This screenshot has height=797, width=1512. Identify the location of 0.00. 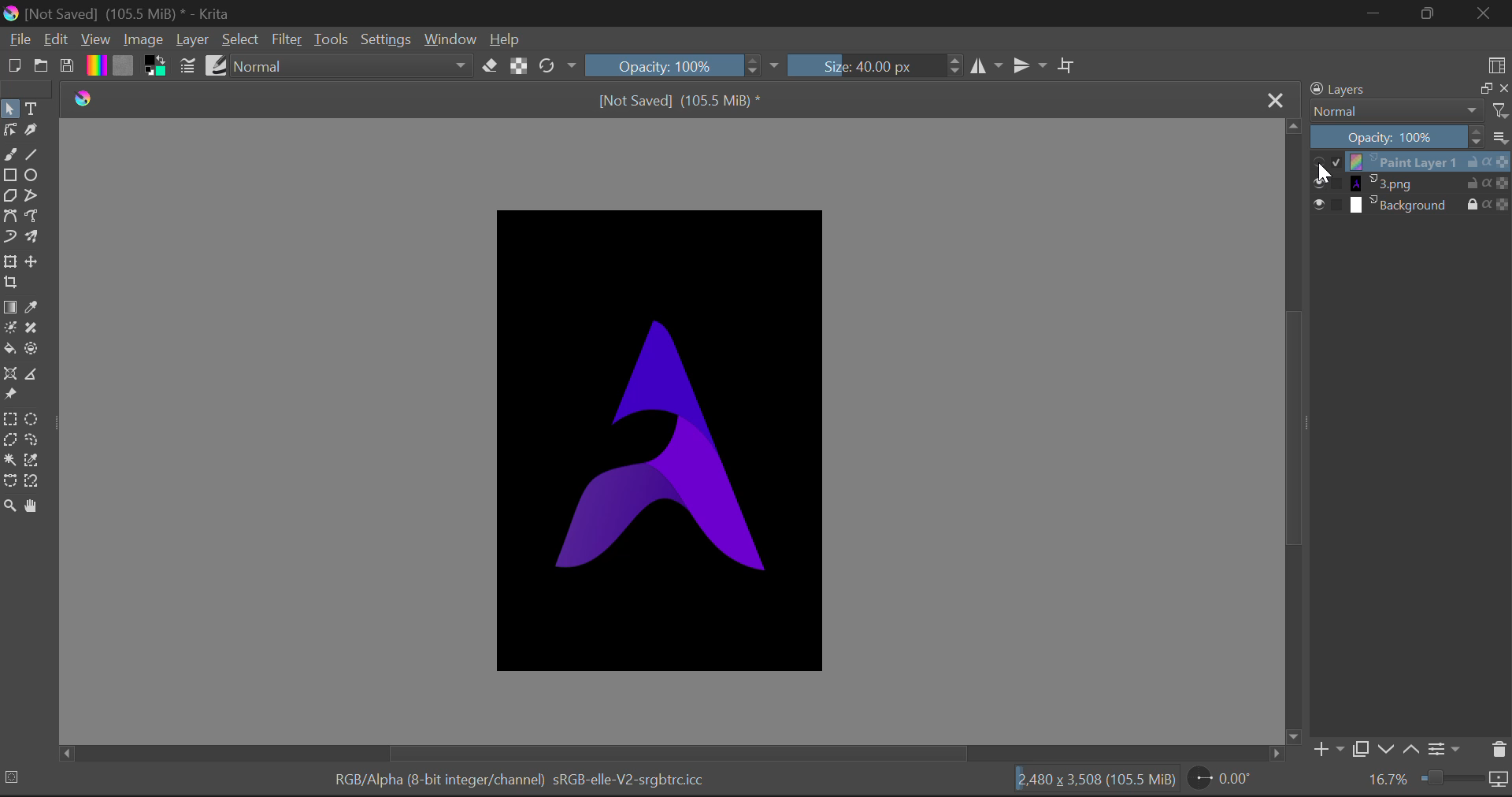
(1233, 780).